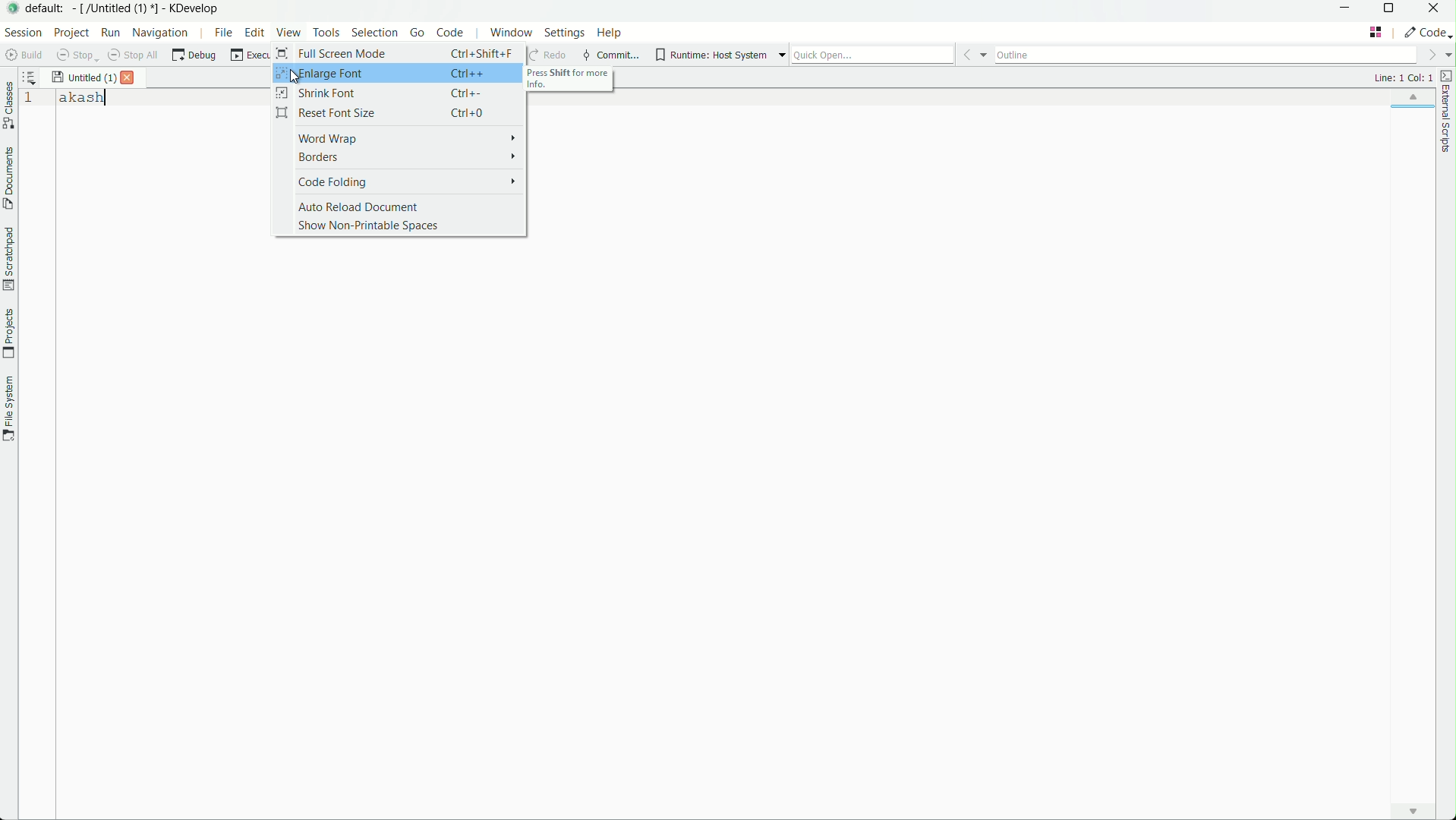 Image resolution: width=1456 pixels, height=820 pixels. What do you see at coordinates (1395, 10) in the screenshot?
I see `maximize or restore` at bounding box center [1395, 10].